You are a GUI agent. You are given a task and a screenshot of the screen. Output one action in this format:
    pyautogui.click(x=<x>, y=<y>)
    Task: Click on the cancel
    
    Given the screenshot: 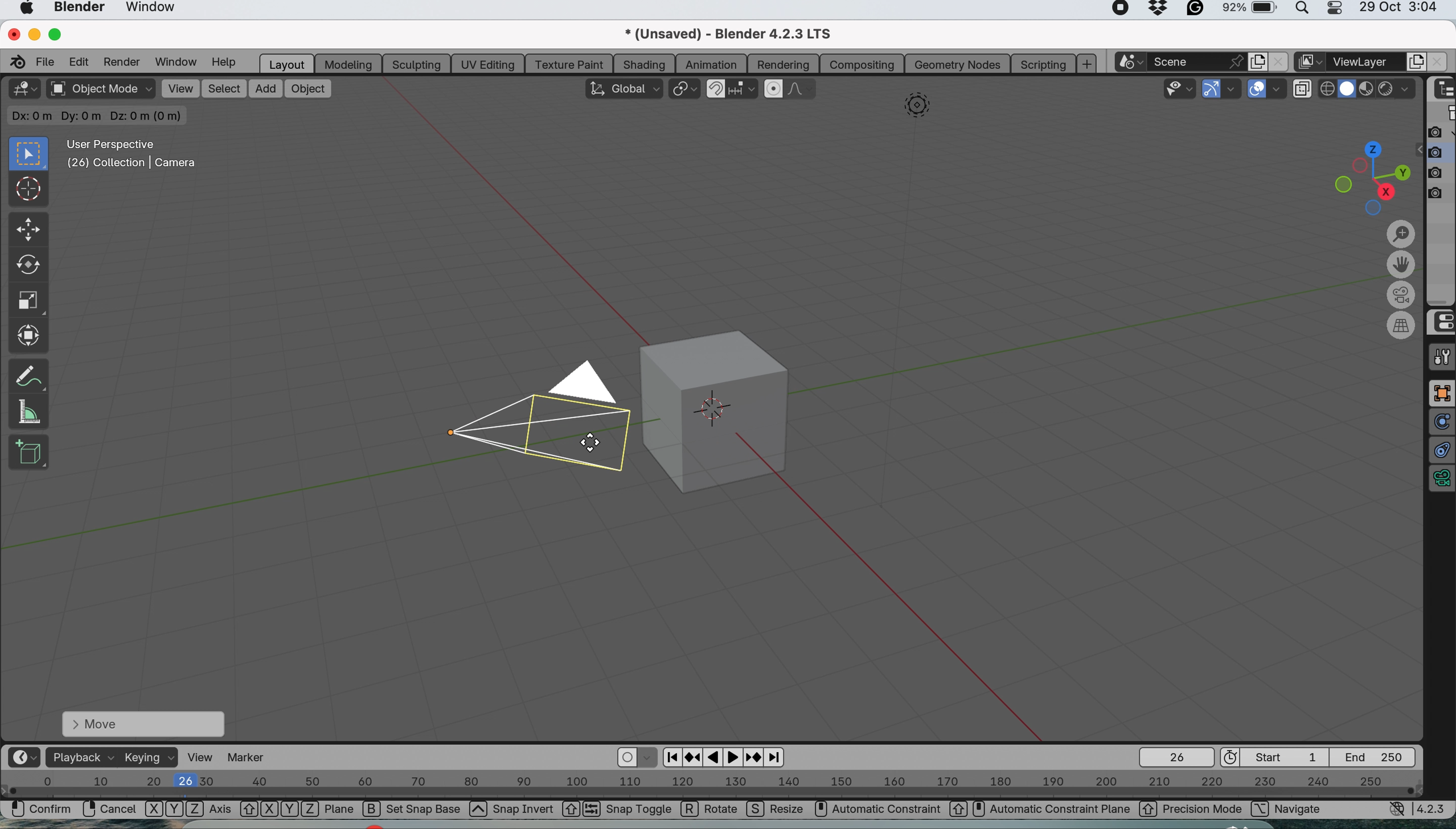 What is the action you would take?
    pyautogui.click(x=109, y=809)
    